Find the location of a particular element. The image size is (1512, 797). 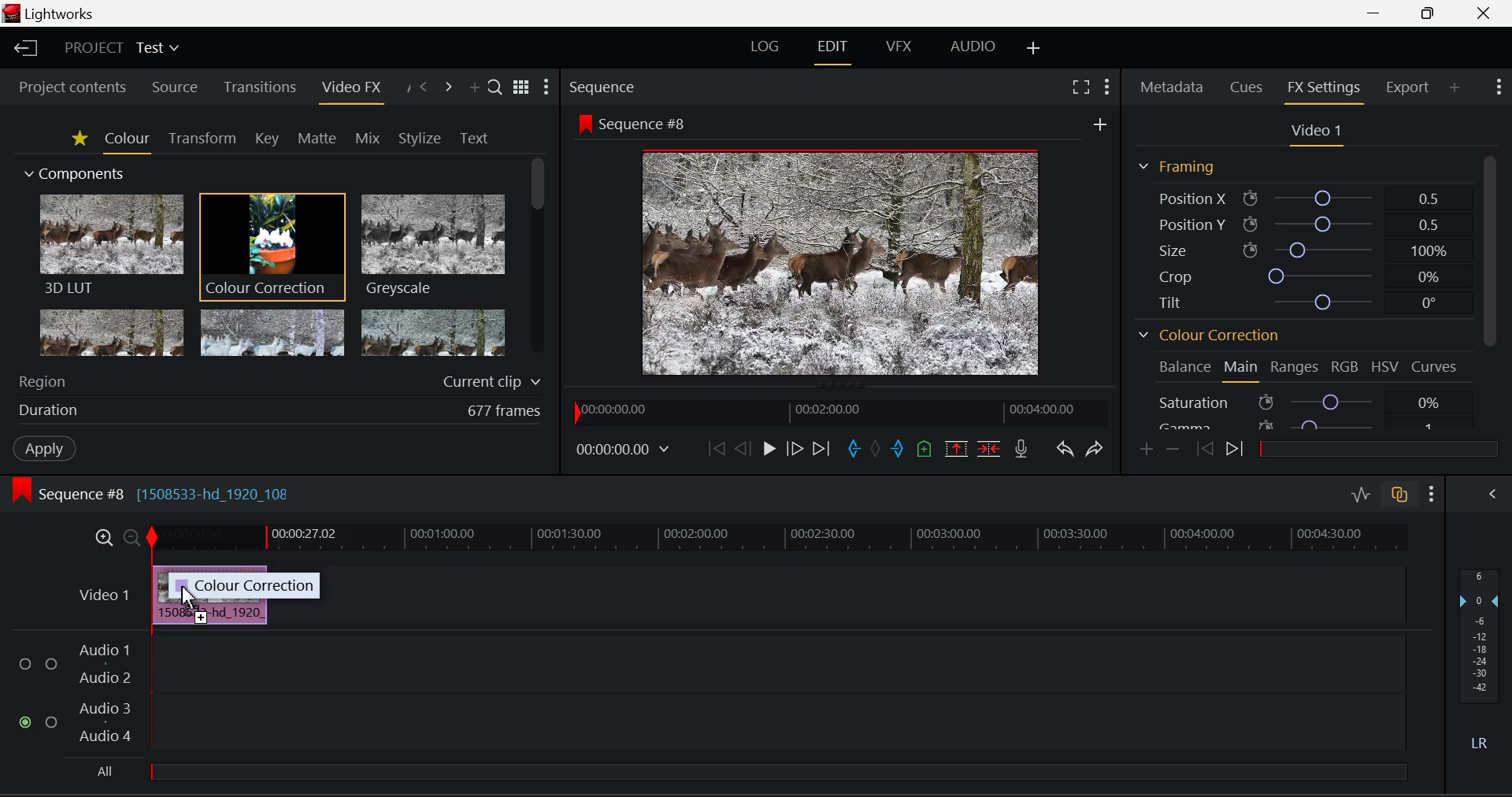

Cursor MOUSE_DOWN on Colour Correction is located at coordinates (272, 246).